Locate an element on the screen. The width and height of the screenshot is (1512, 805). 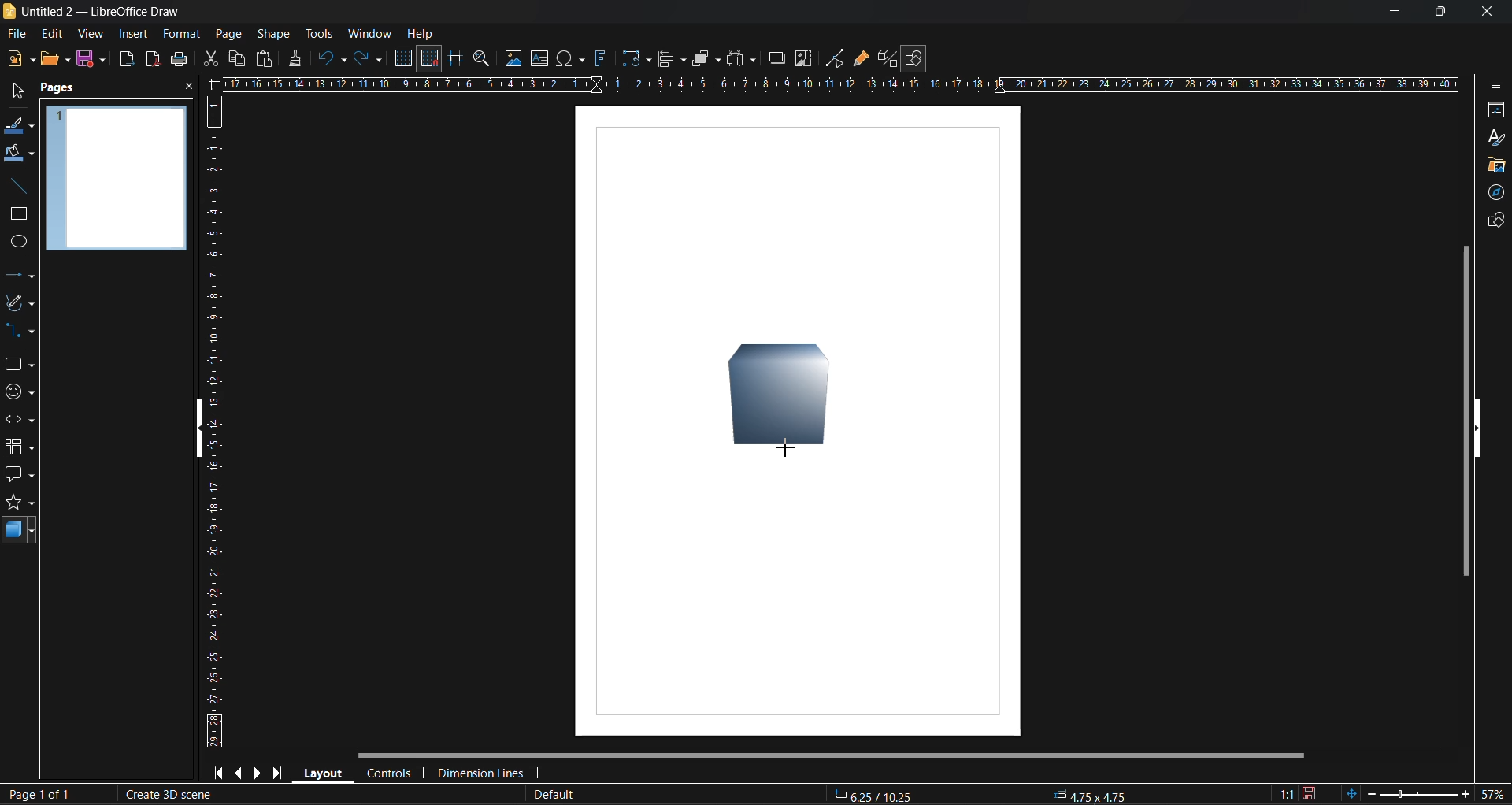
horizontal ruler is located at coordinates (843, 87).